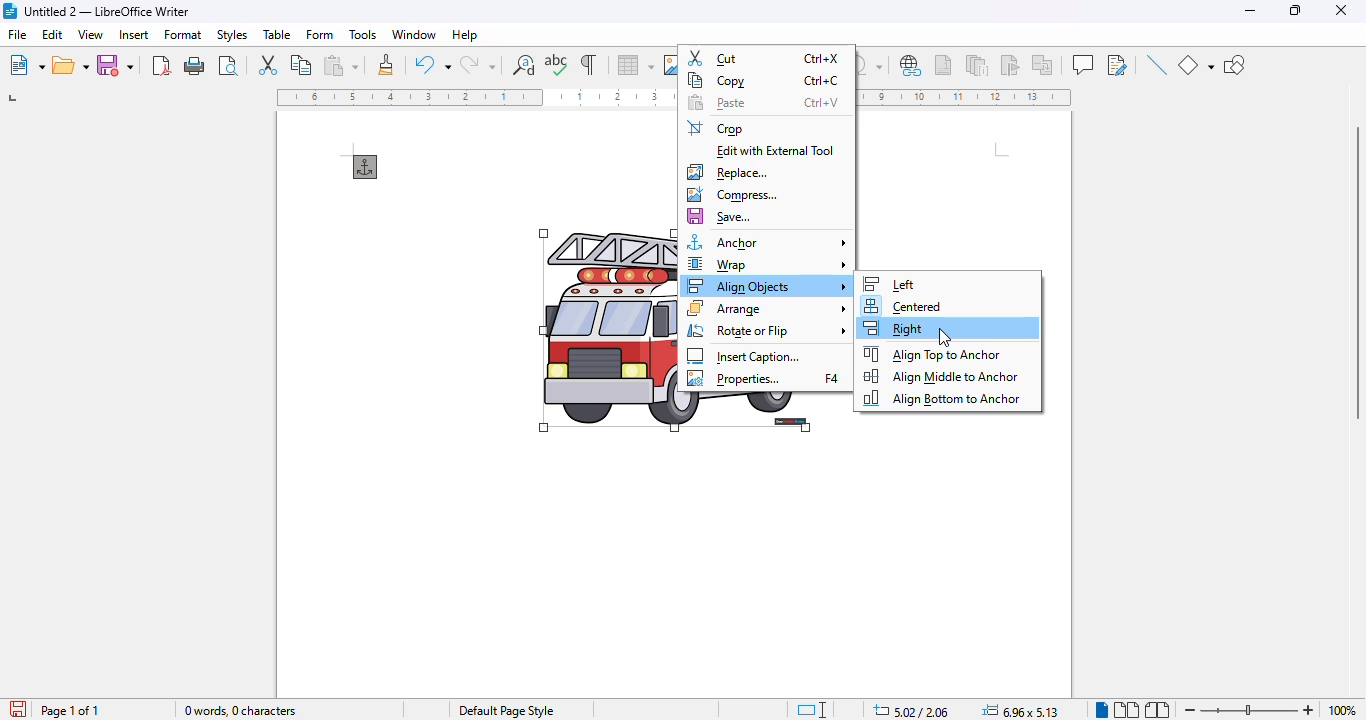 This screenshot has width=1366, height=720. Describe the element at coordinates (54, 34) in the screenshot. I see `edit` at that location.